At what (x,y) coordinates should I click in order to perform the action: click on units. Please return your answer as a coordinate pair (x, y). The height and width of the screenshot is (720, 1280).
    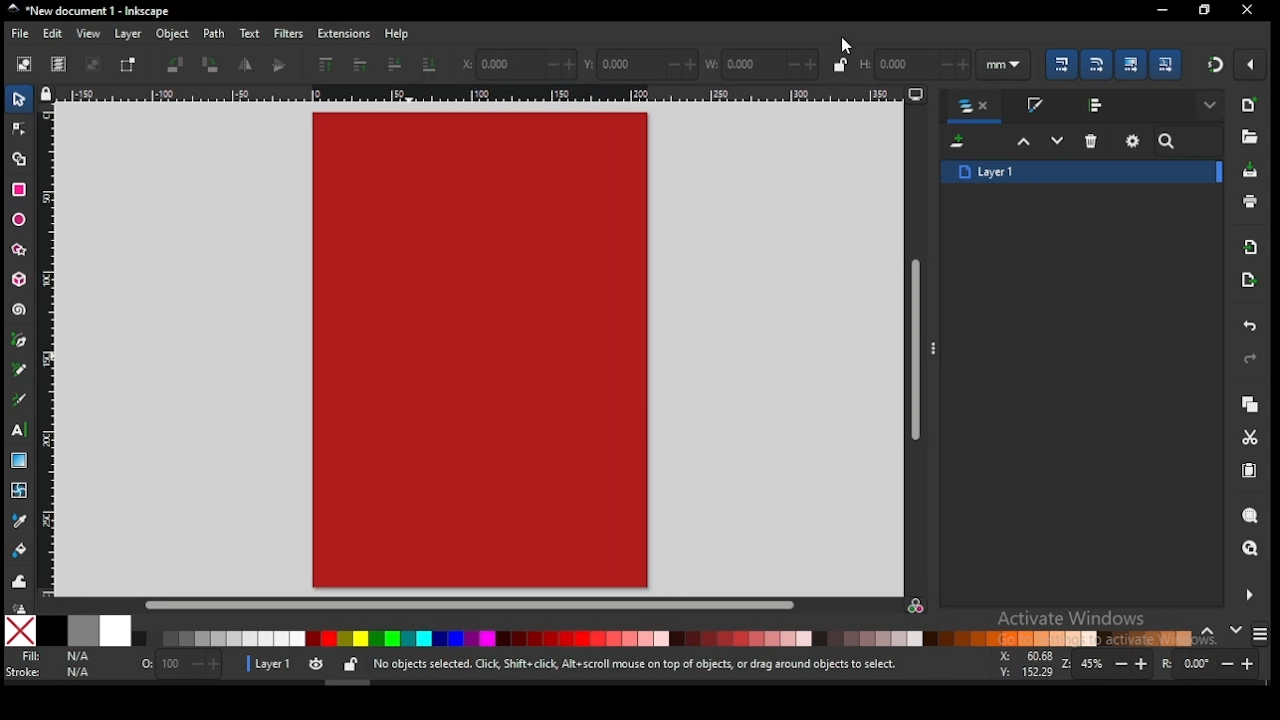
    Looking at the image, I should click on (1004, 65).